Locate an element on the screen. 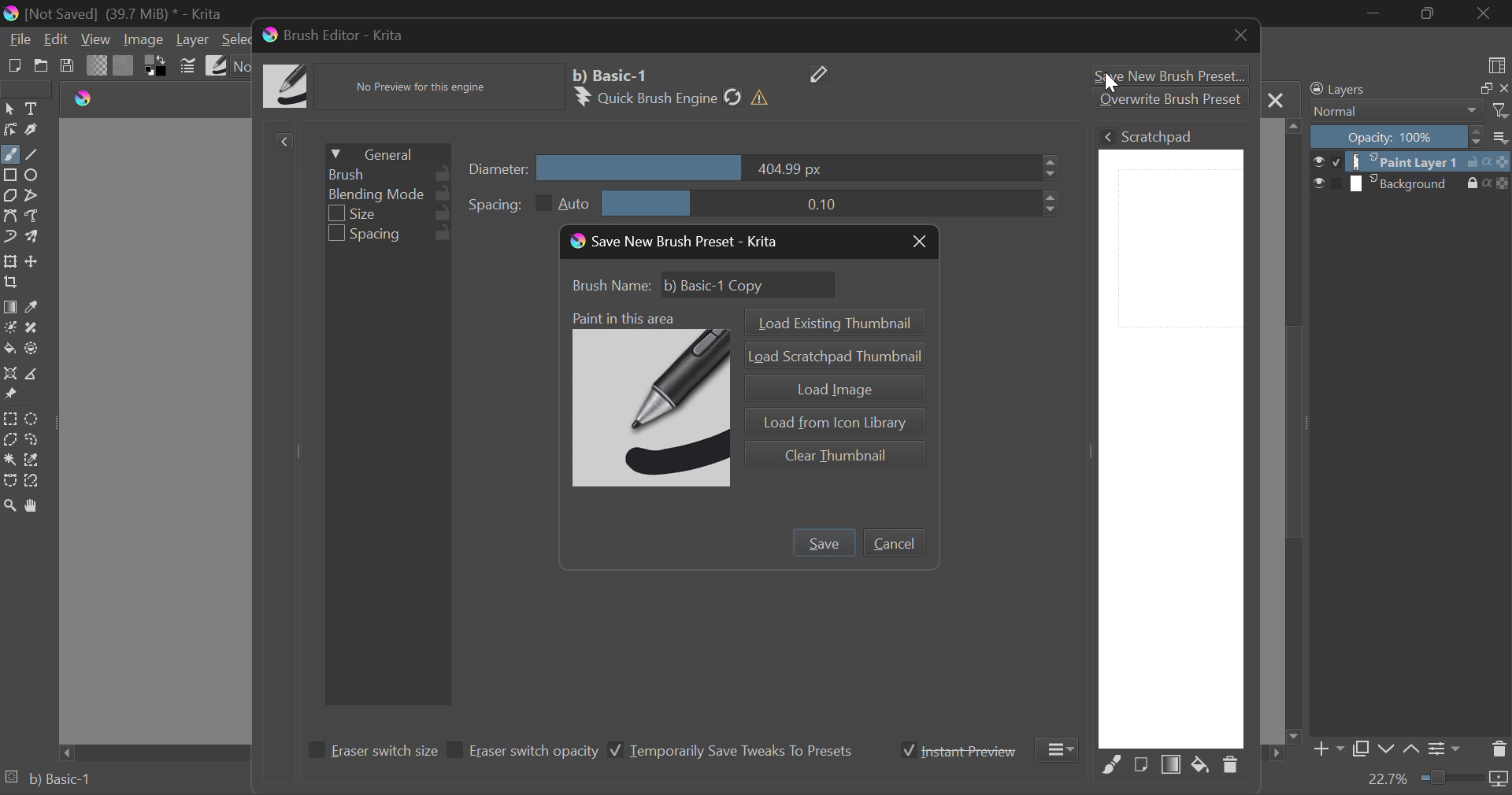 The image size is (1512, 795). Text is located at coordinates (31, 109).